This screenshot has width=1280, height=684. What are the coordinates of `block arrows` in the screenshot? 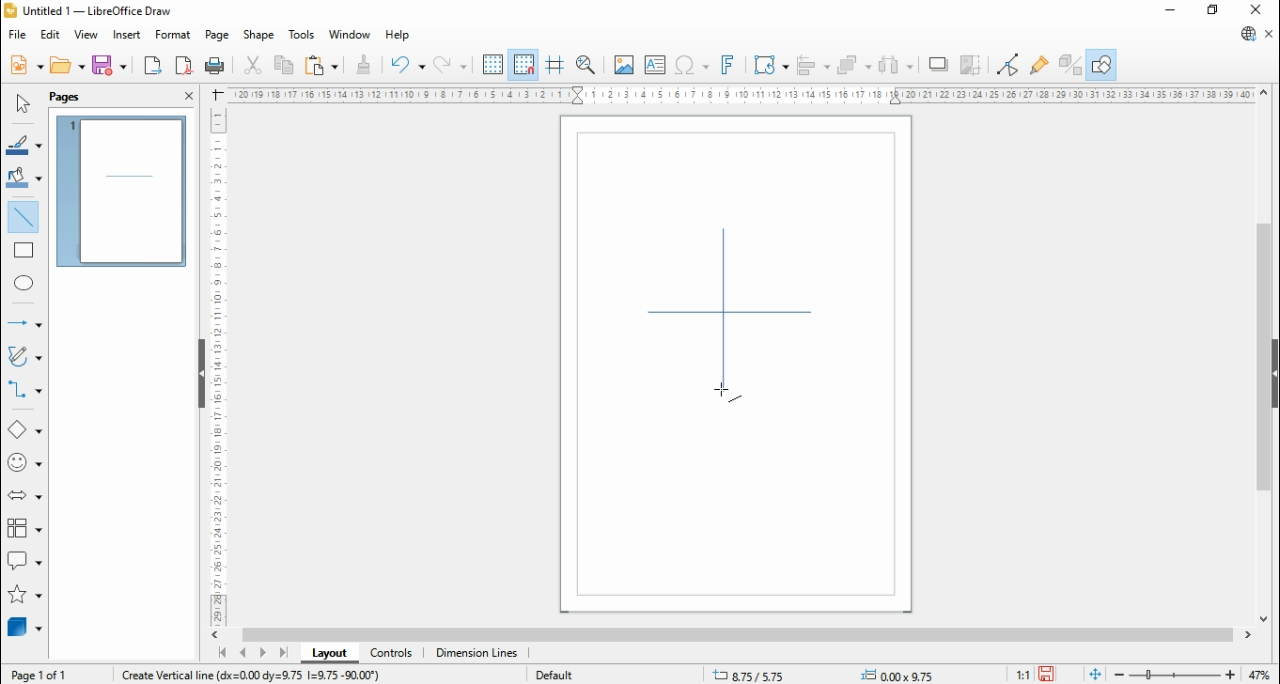 It's located at (24, 496).